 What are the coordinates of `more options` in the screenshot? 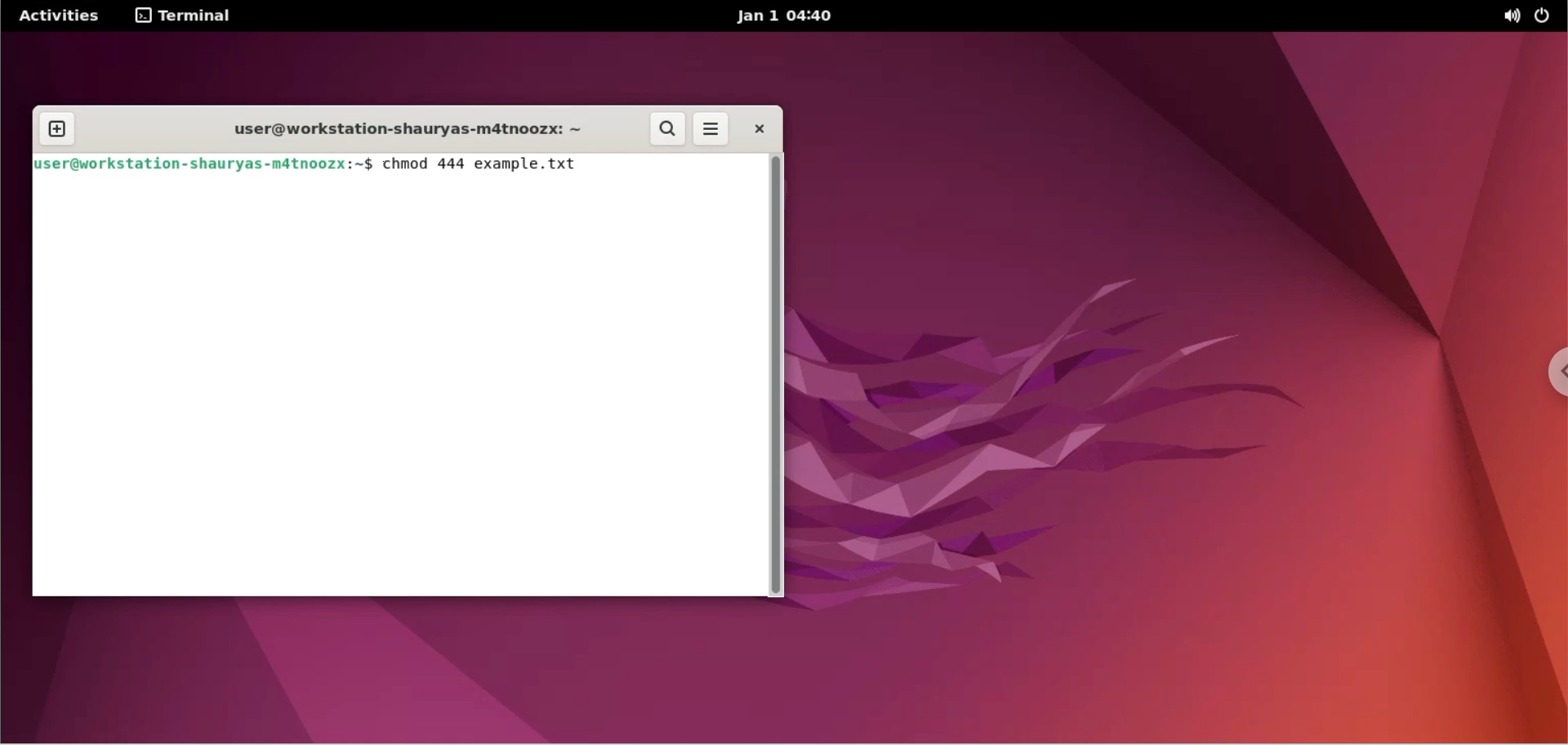 It's located at (714, 129).